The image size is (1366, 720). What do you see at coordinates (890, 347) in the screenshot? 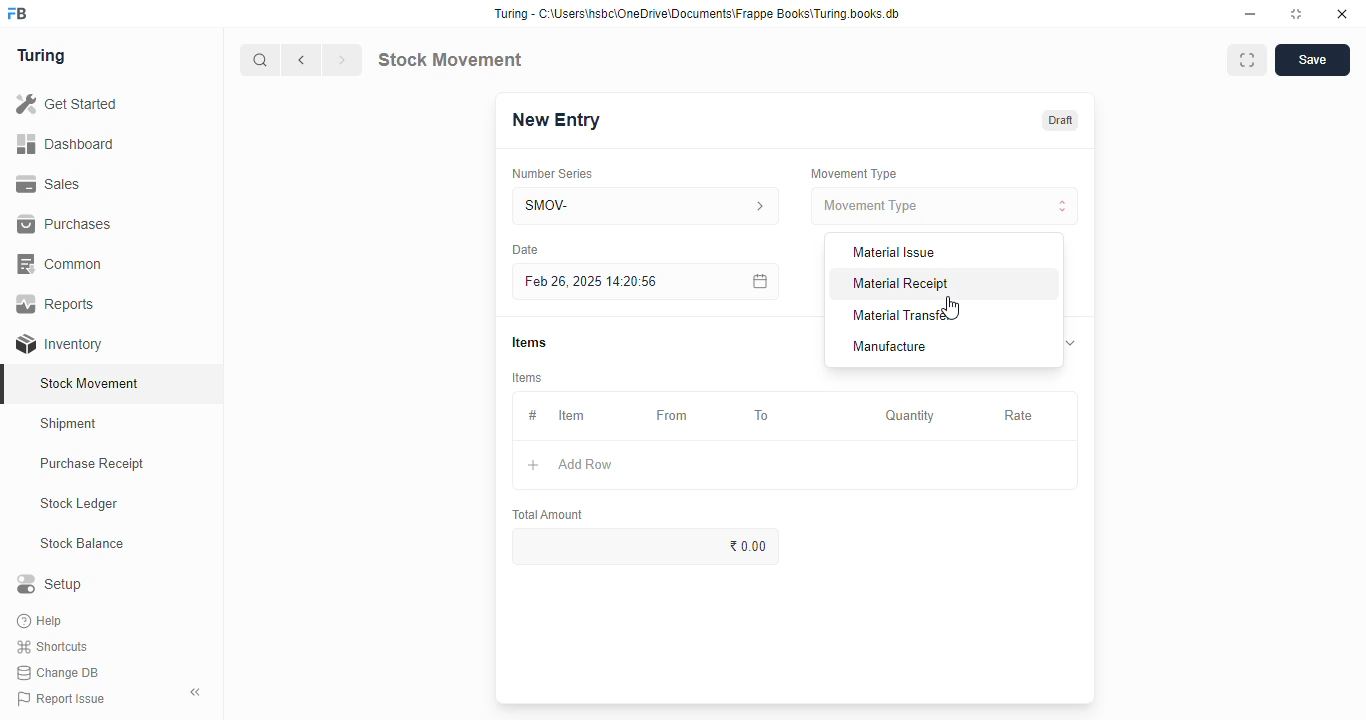
I see `manufacture` at bounding box center [890, 347].